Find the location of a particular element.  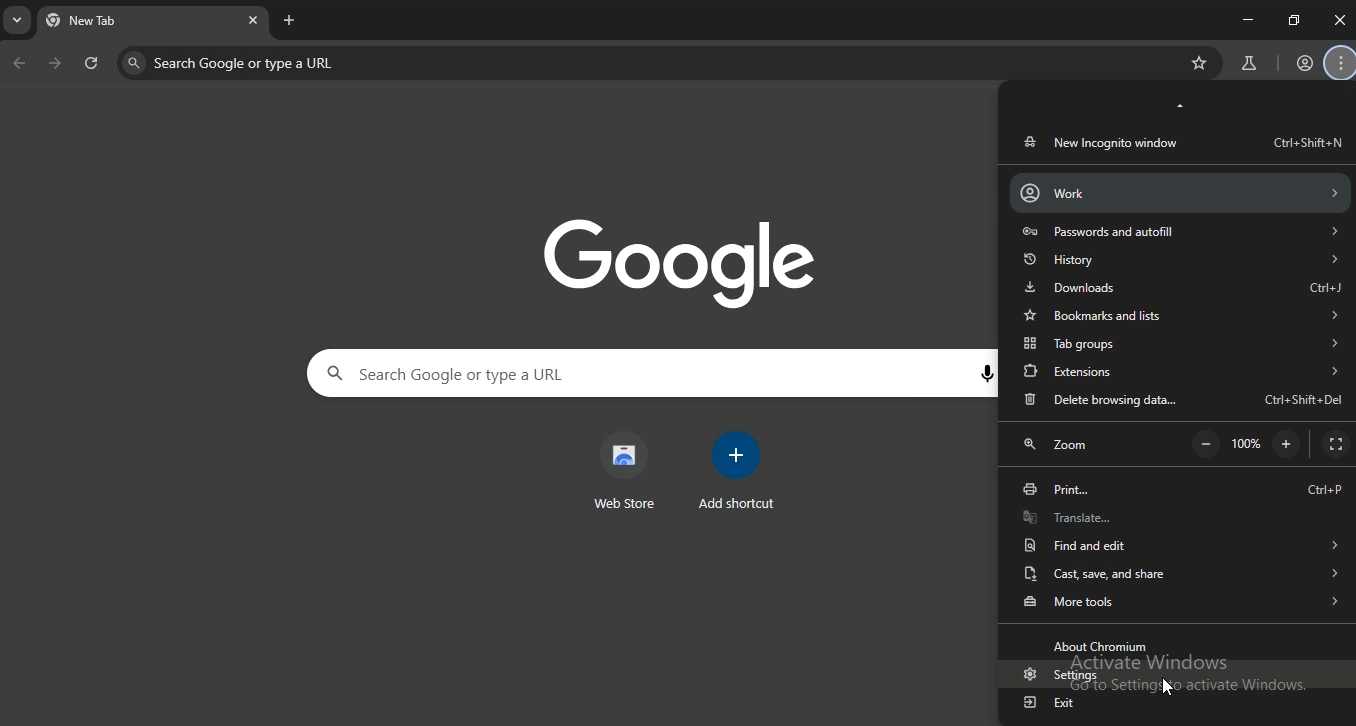

zoom is located at coordinates (1062, 447).